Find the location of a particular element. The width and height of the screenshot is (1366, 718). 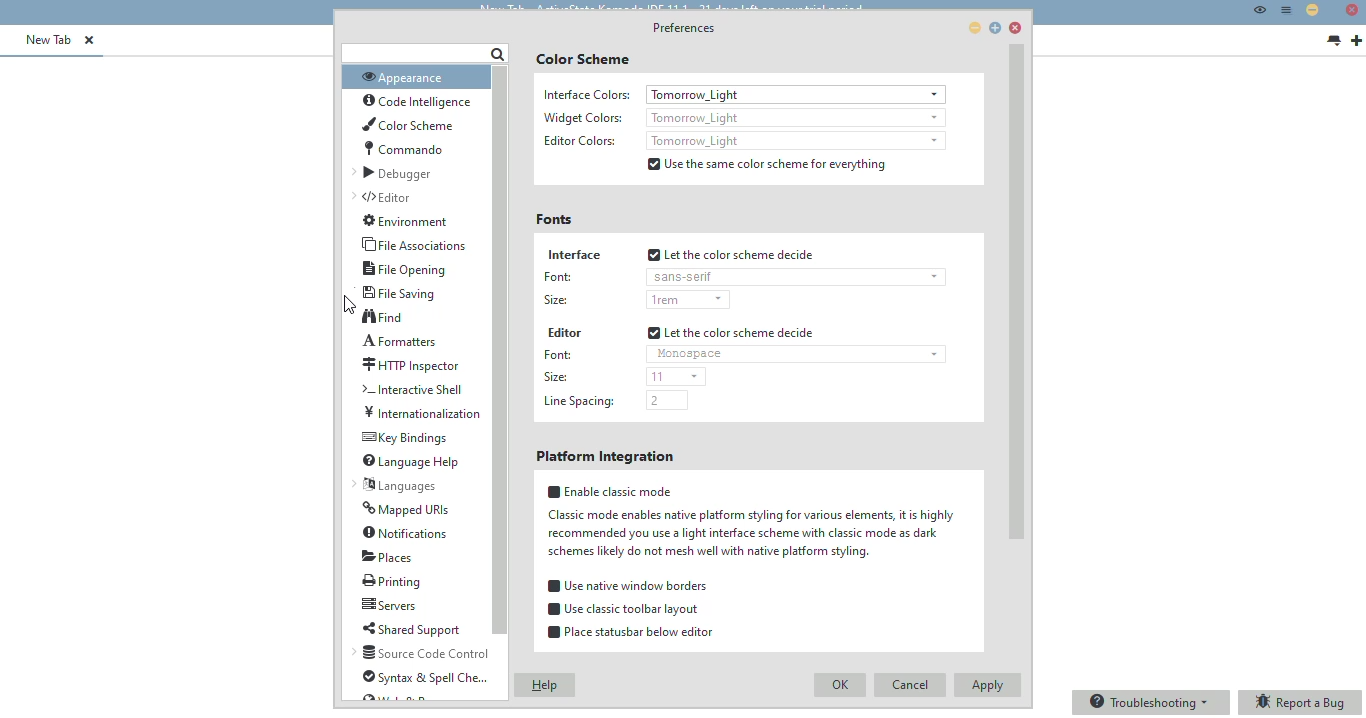

notifications is located at coordinates (406, 533).